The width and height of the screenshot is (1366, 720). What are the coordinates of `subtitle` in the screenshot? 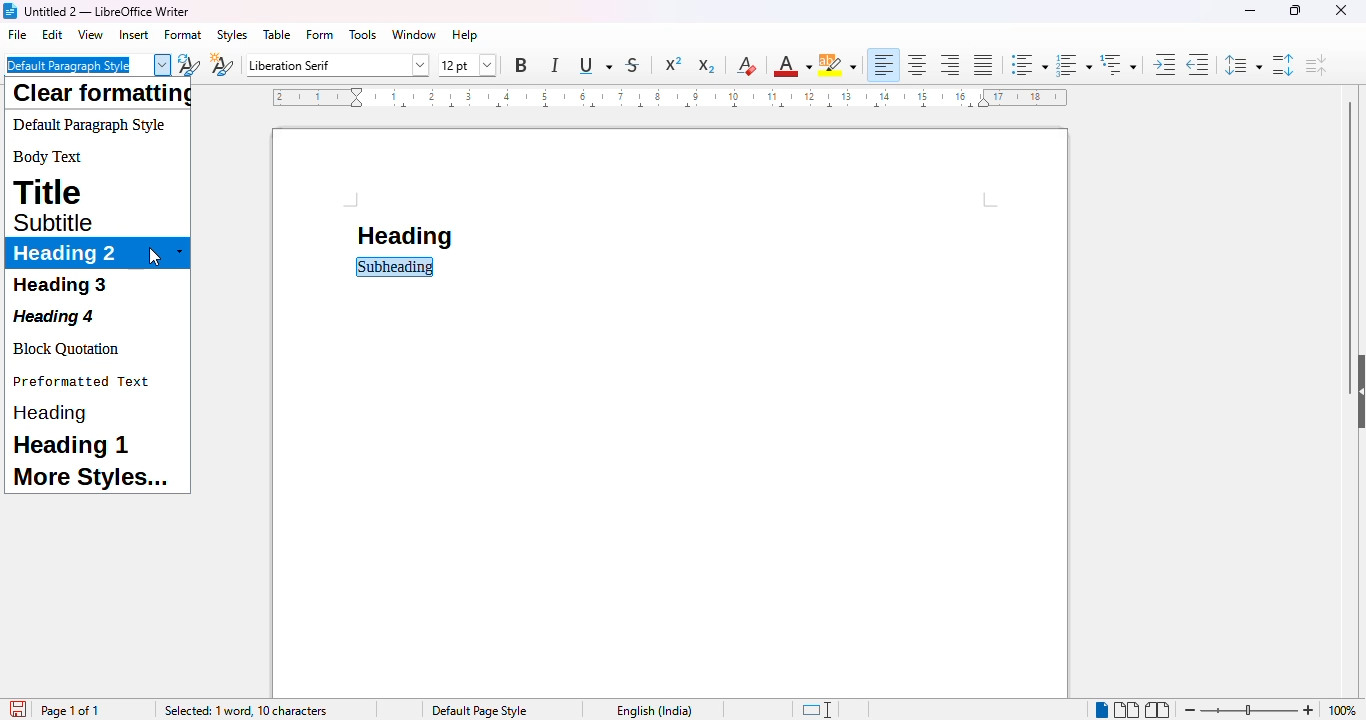 It's located at (55, 223).